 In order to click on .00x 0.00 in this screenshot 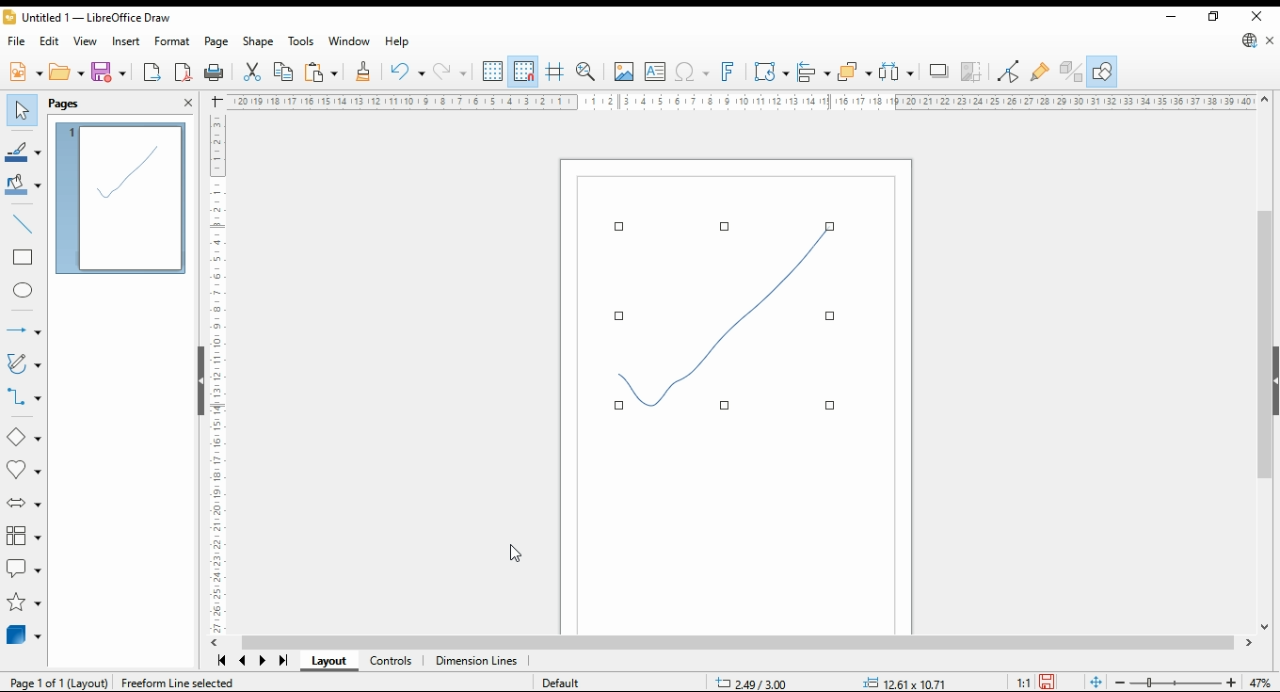, I will do `click(899, 682)`.